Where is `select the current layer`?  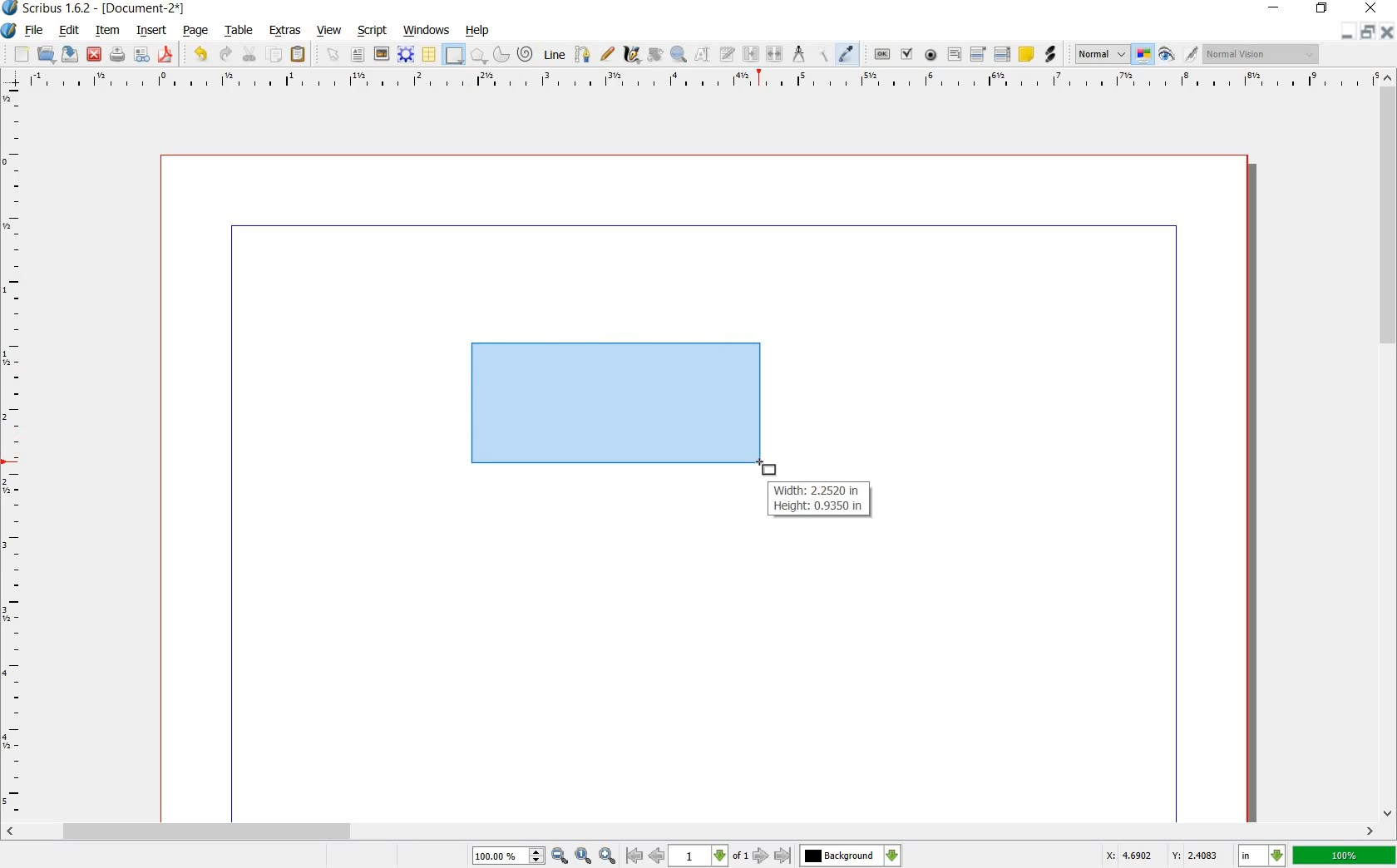 select the current layer is located at coordinates (851, 856).